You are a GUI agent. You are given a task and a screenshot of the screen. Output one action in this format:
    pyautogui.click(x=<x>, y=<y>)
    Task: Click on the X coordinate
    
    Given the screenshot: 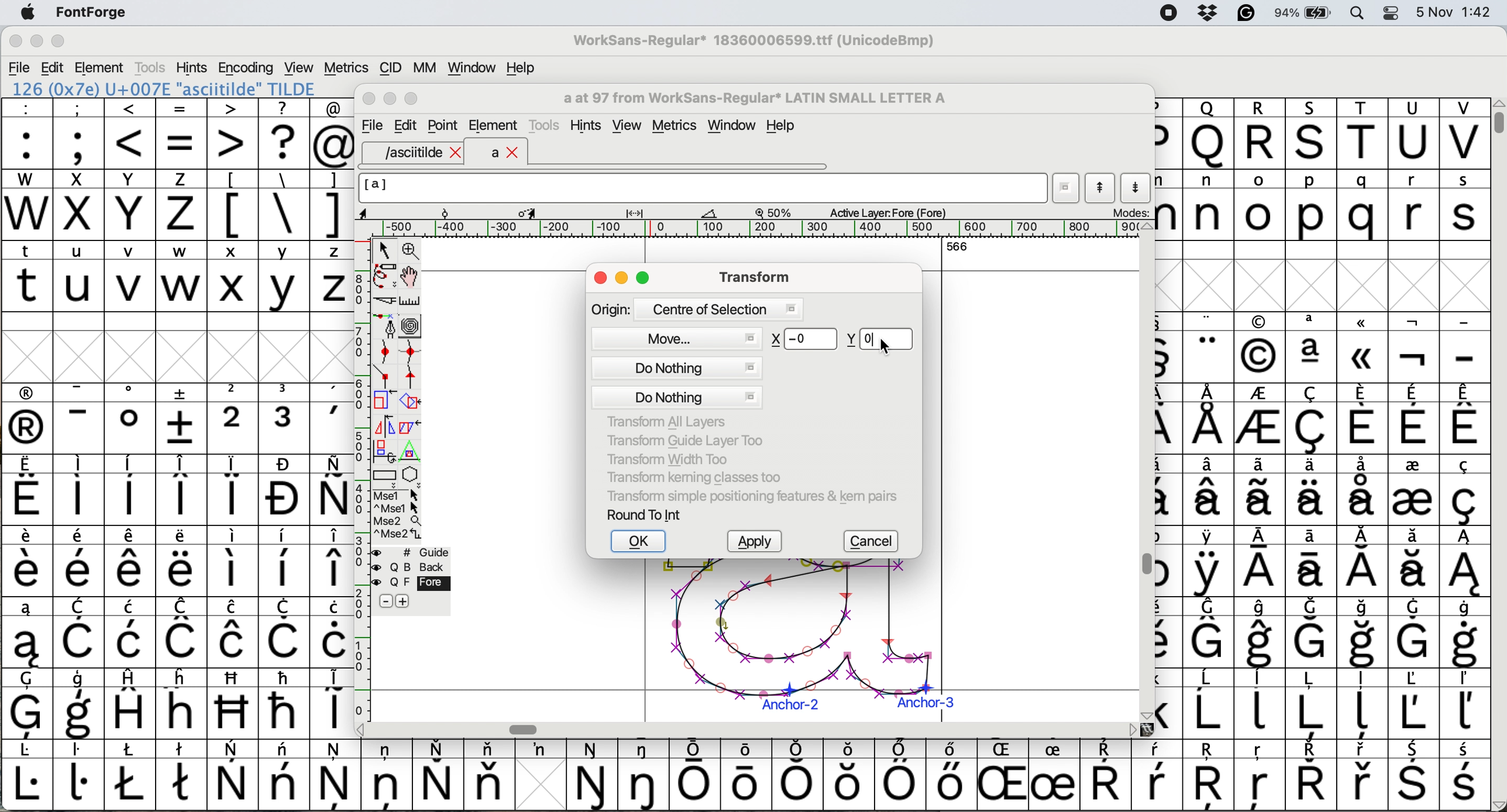 What is the action you would take?
    pyautogui.click(x=804, y=340)
    